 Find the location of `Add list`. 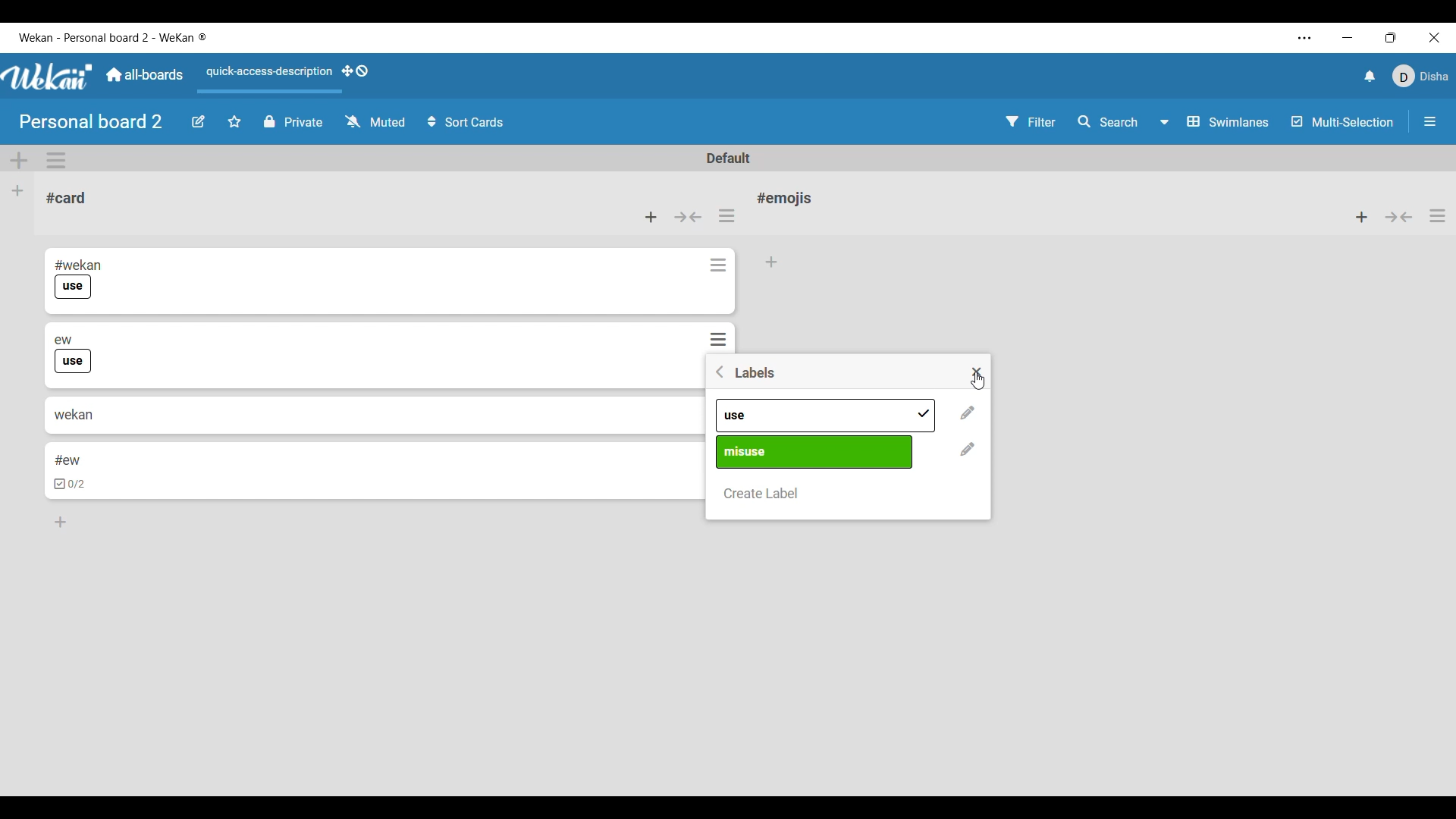

Add list is located at coordinates (17, 191).